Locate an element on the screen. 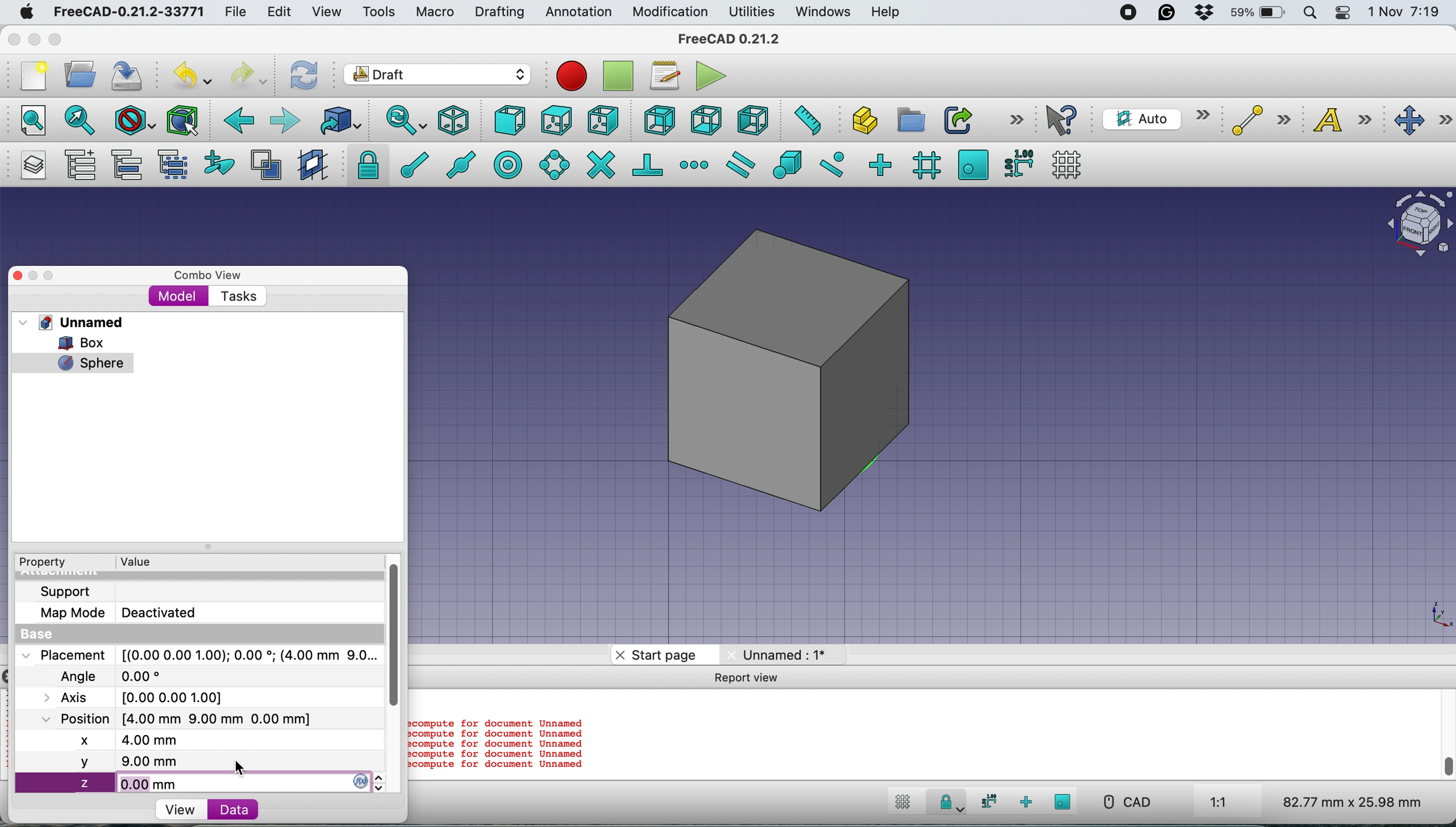 The width and height of the screenshot is (1456, 827). sphere selected is located at coordinates (73, 360).